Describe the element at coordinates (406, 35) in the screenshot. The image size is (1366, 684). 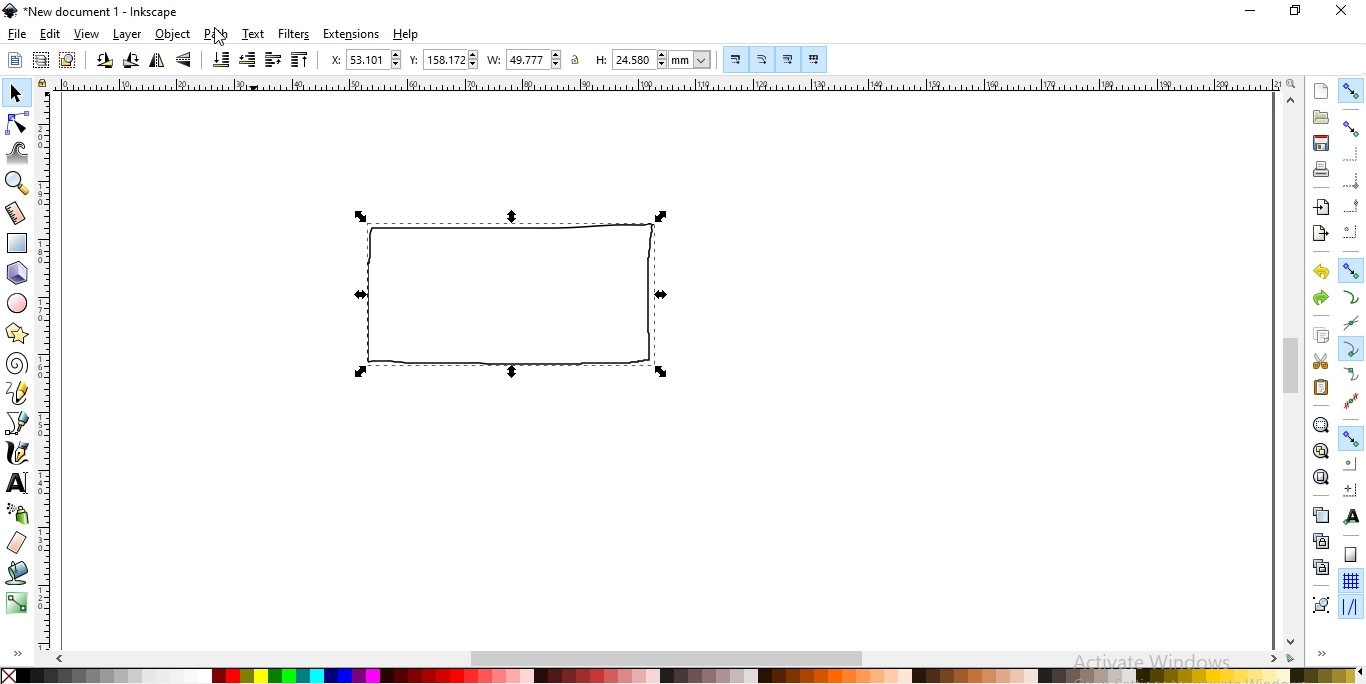
I see `help` at that location.